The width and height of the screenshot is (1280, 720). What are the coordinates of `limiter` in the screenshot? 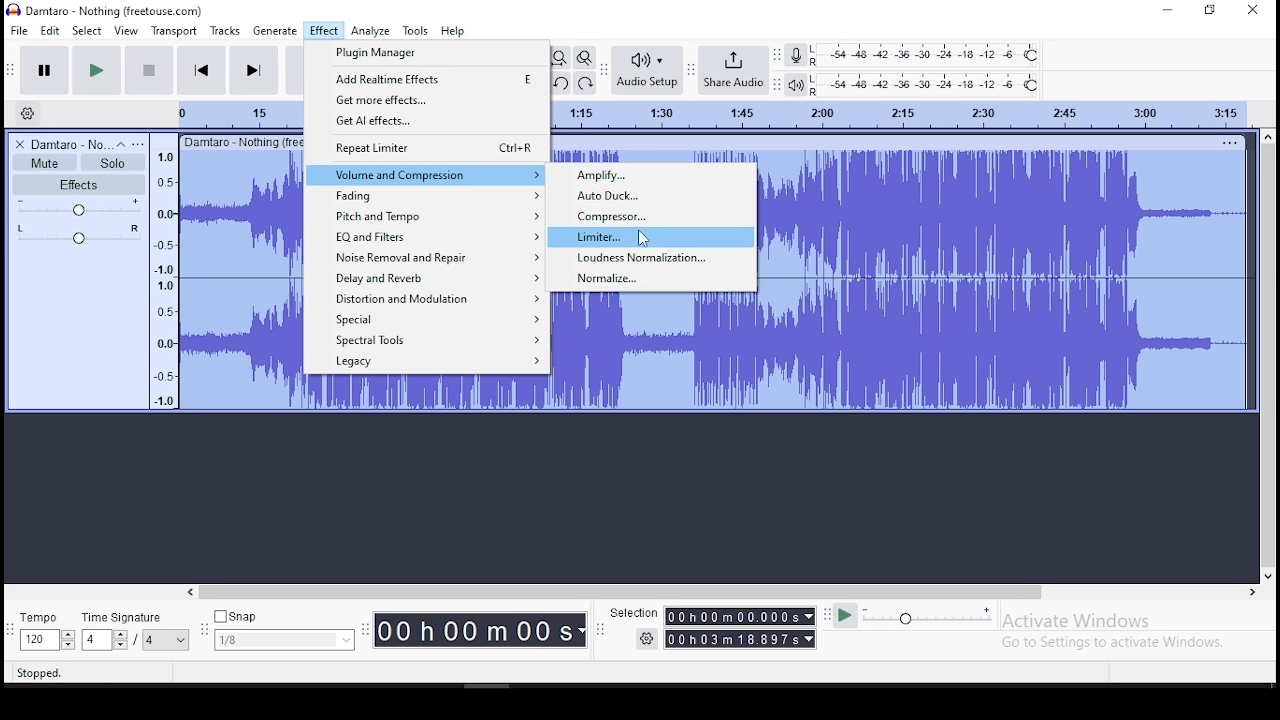 It's located at (654, 237).